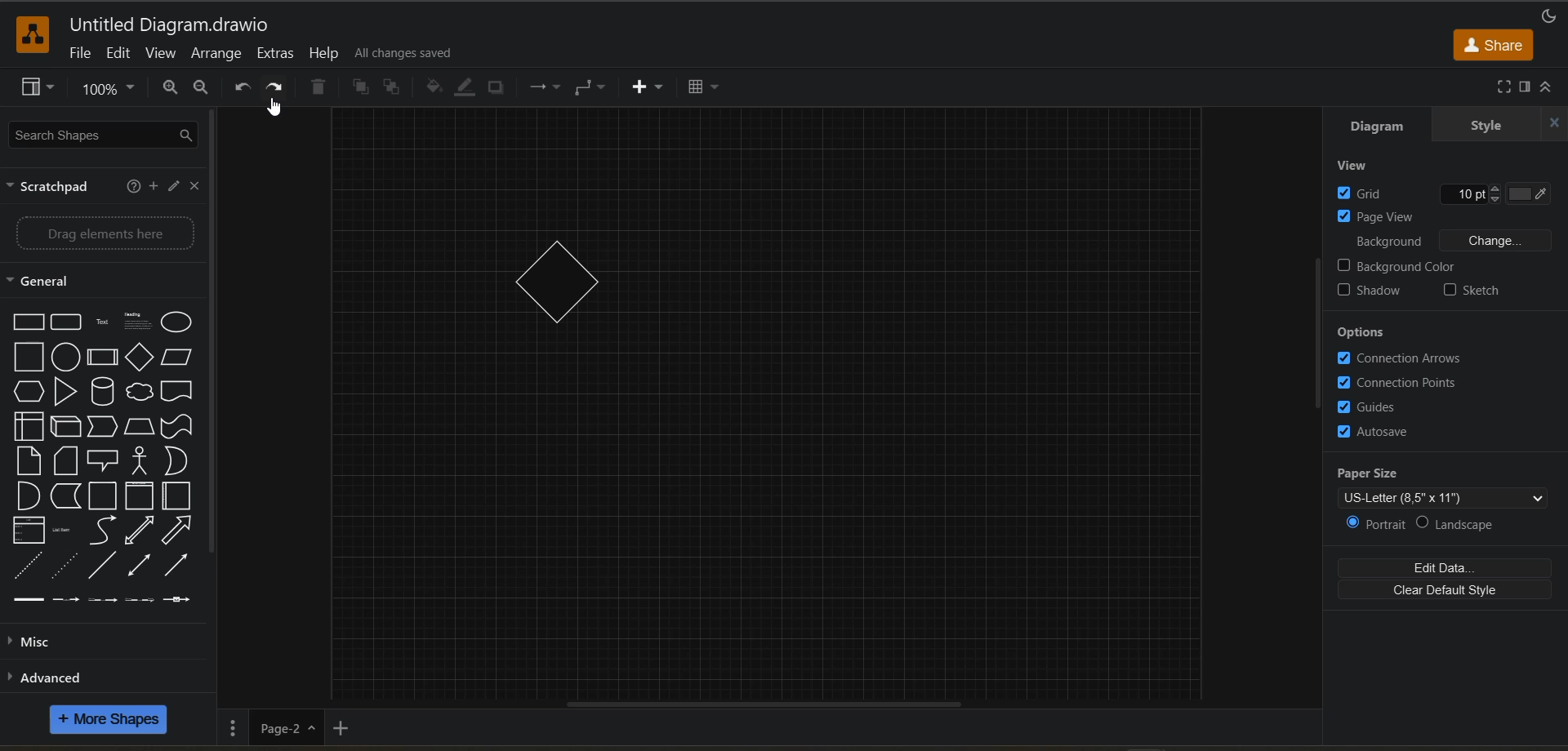 The height and width of the screenshot is (751, 1568). Describe the element at coordinates (171, 188) in the screenshot. I see `edit` at that location.